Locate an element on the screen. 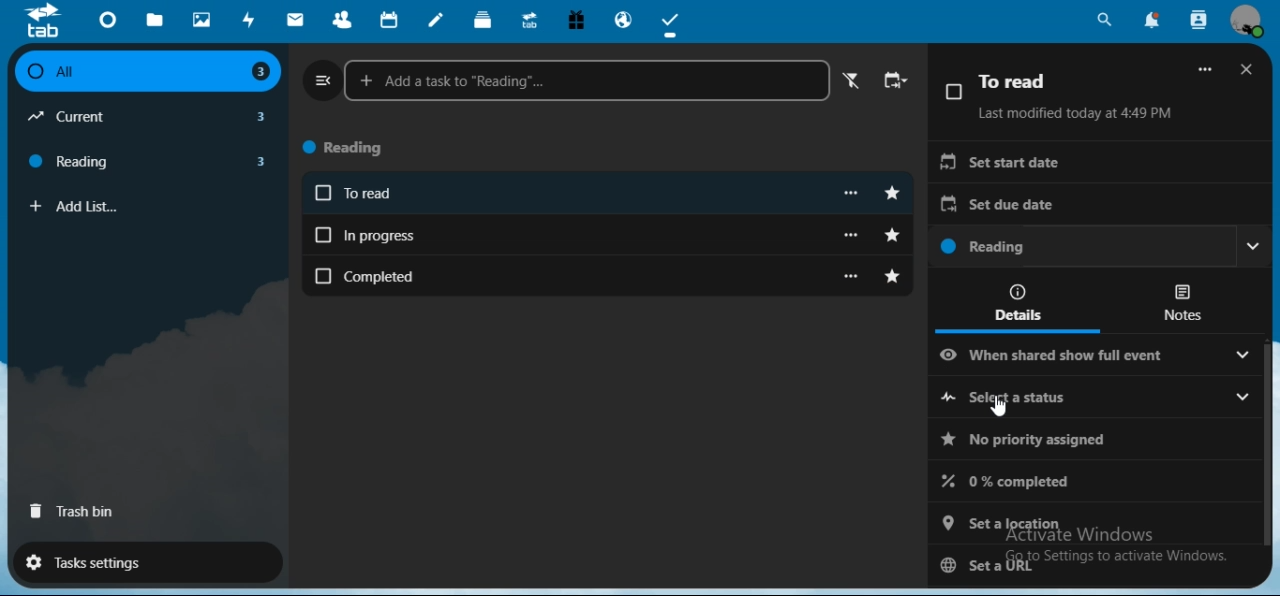  Last modified today at 4:49 PM is located at coordinates (1076, 113).